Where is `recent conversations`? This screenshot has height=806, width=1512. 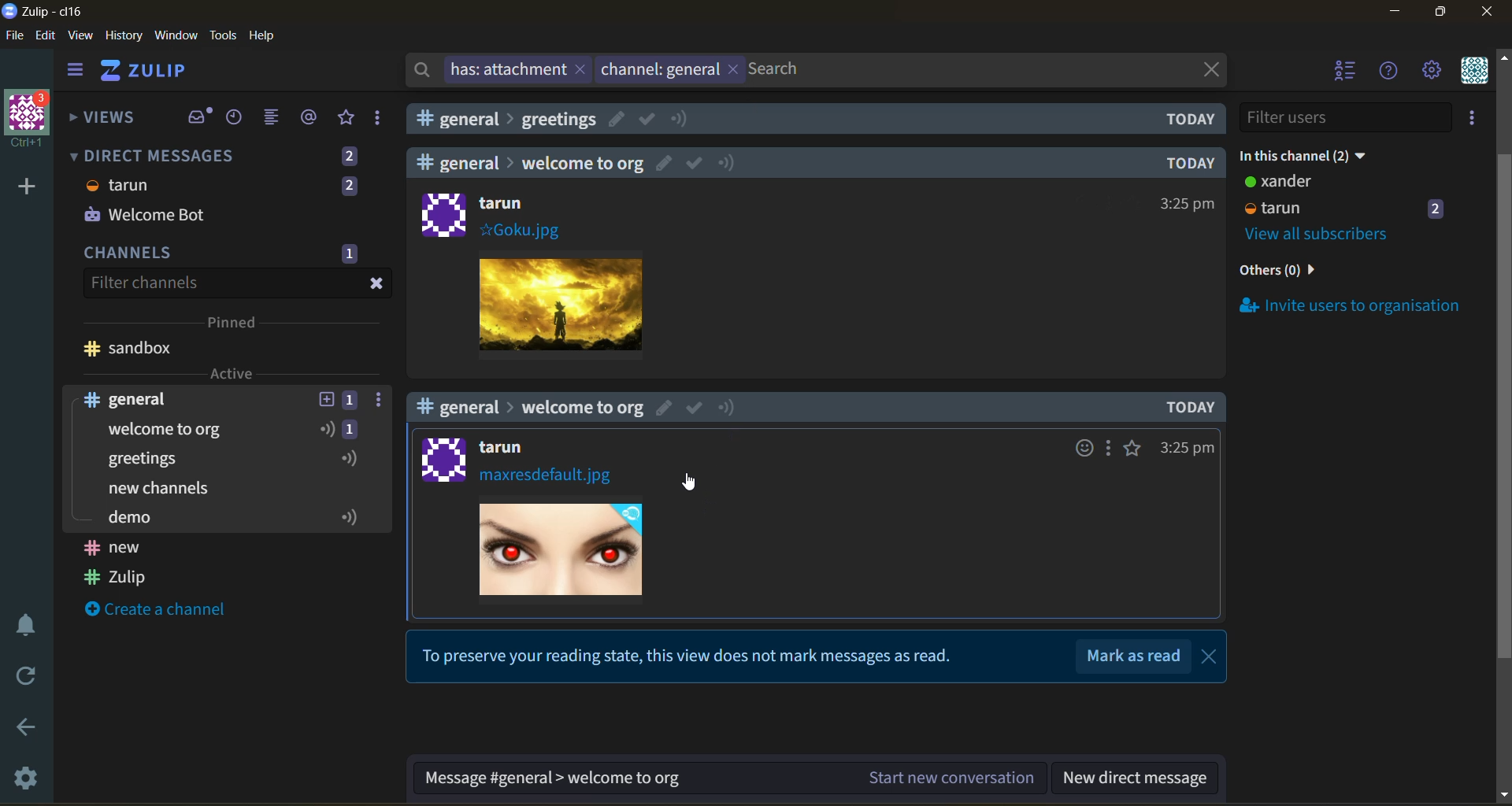 recent conversations is located at coordinates (235, 118).